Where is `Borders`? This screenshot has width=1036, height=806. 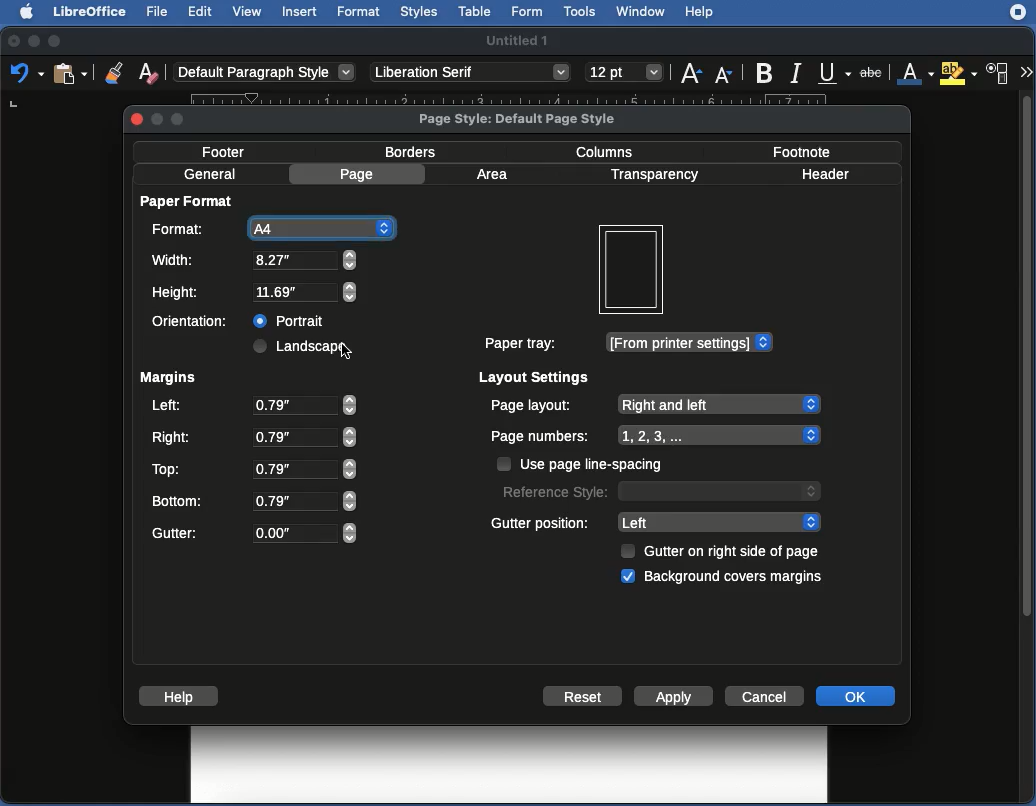 Borders is located at coordinates (418, 154).